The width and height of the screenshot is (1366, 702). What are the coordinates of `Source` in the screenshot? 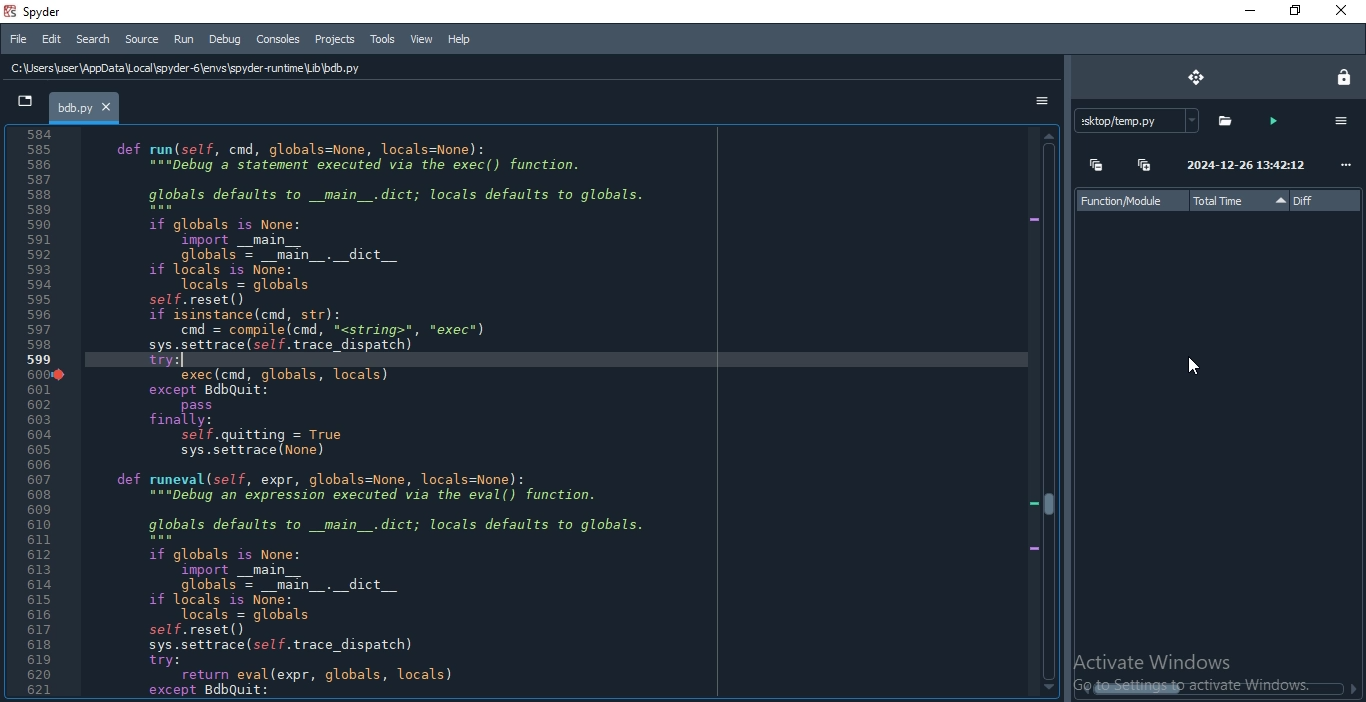 It's located at (144, 40).